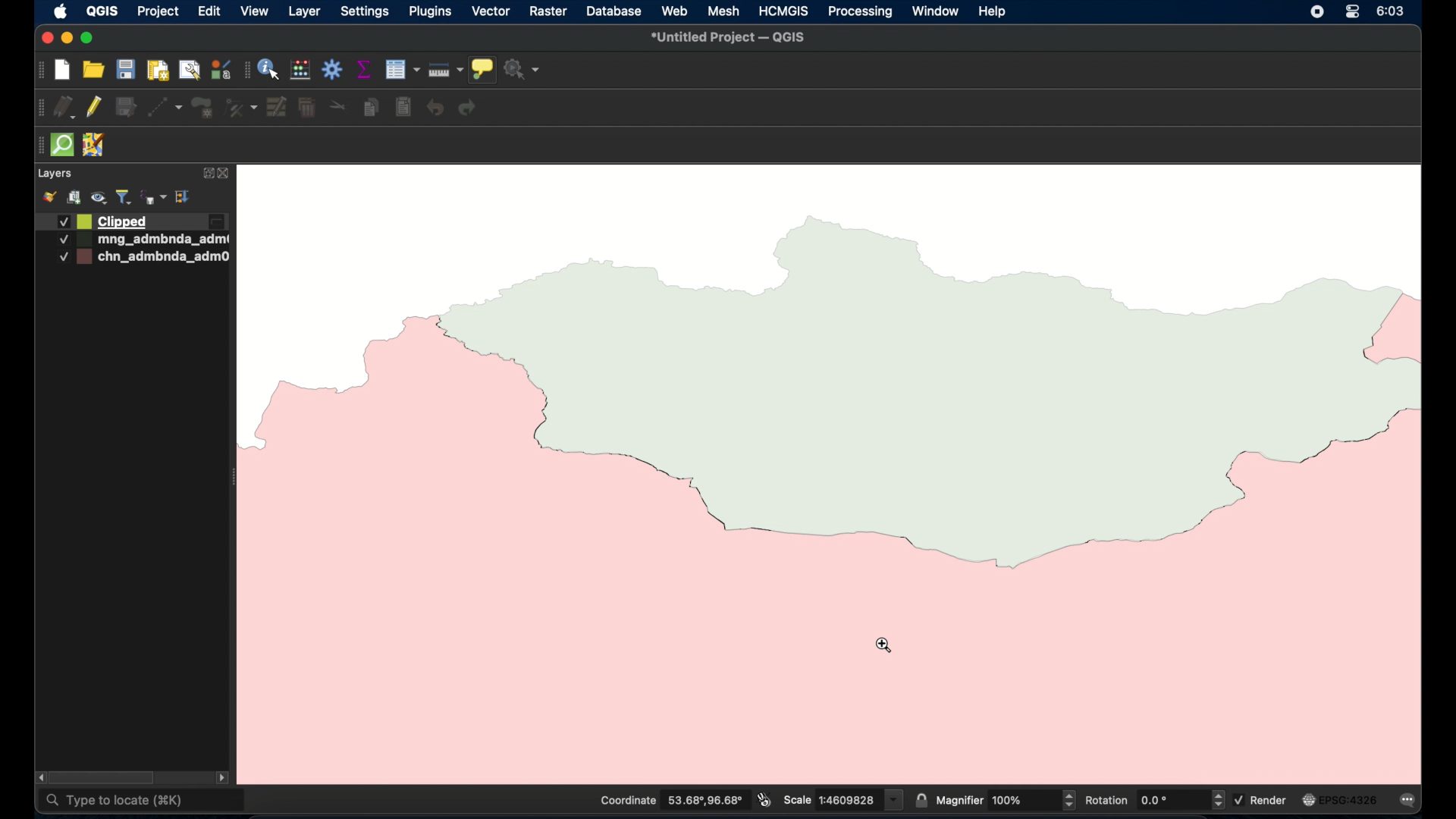 This screenshot has width=1456, height=819. Describe the element at coordinates (206, 174) in the screenshot. I see `expand` at that location.